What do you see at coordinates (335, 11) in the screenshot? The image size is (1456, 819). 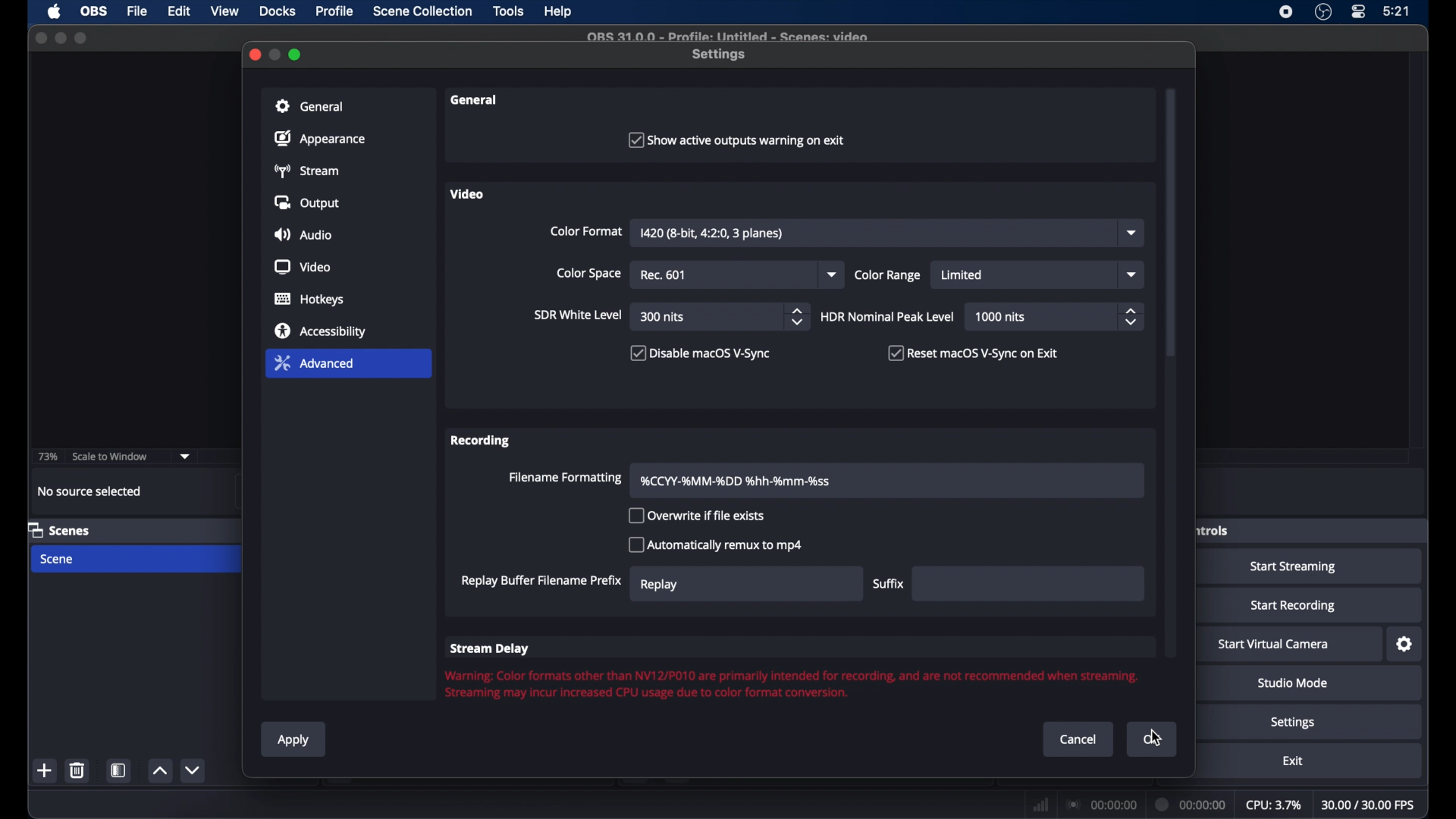 I see `profile` at bounding box center [335, 11].